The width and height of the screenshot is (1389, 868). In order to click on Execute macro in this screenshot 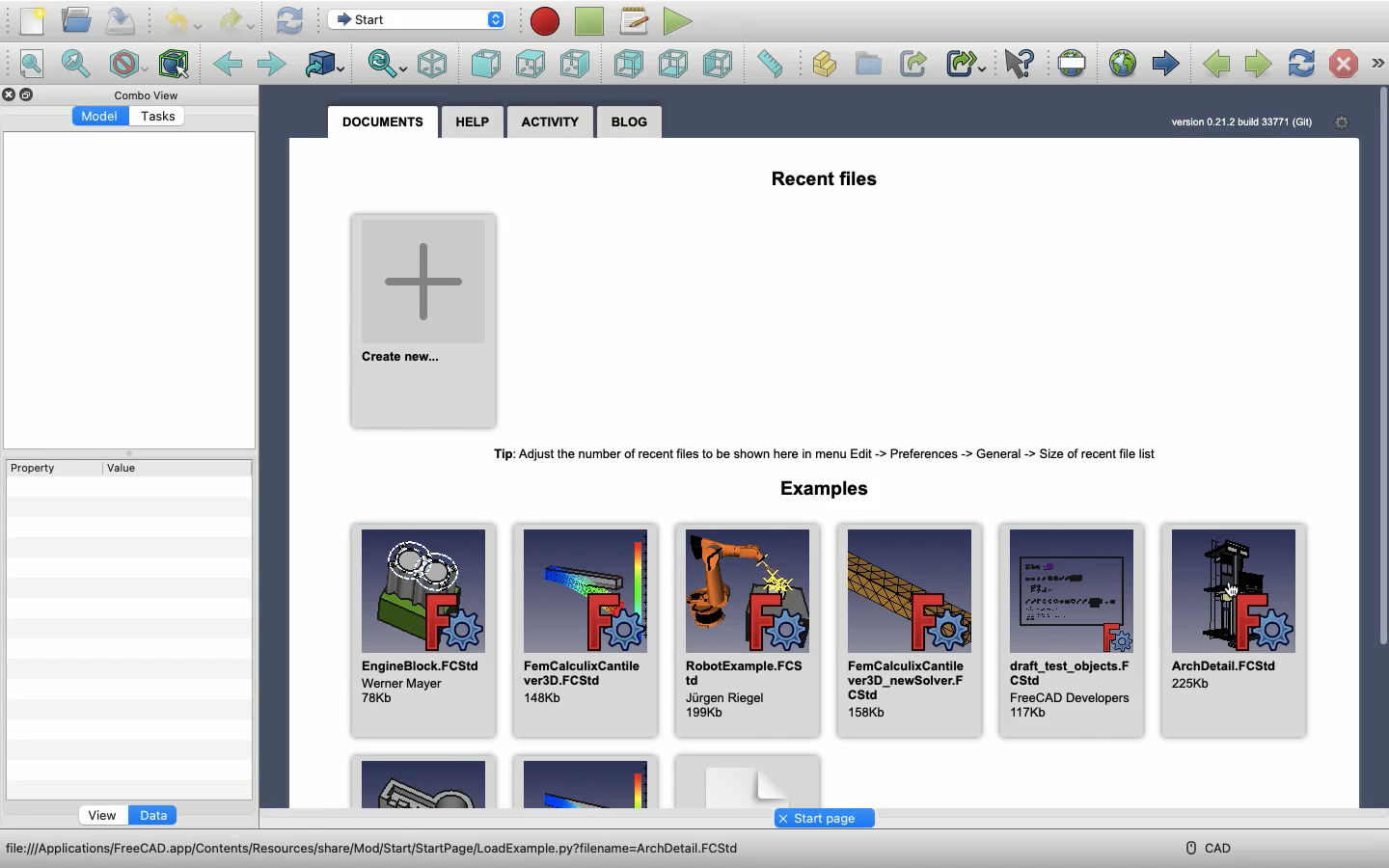, I will do `click(676, 20)`.